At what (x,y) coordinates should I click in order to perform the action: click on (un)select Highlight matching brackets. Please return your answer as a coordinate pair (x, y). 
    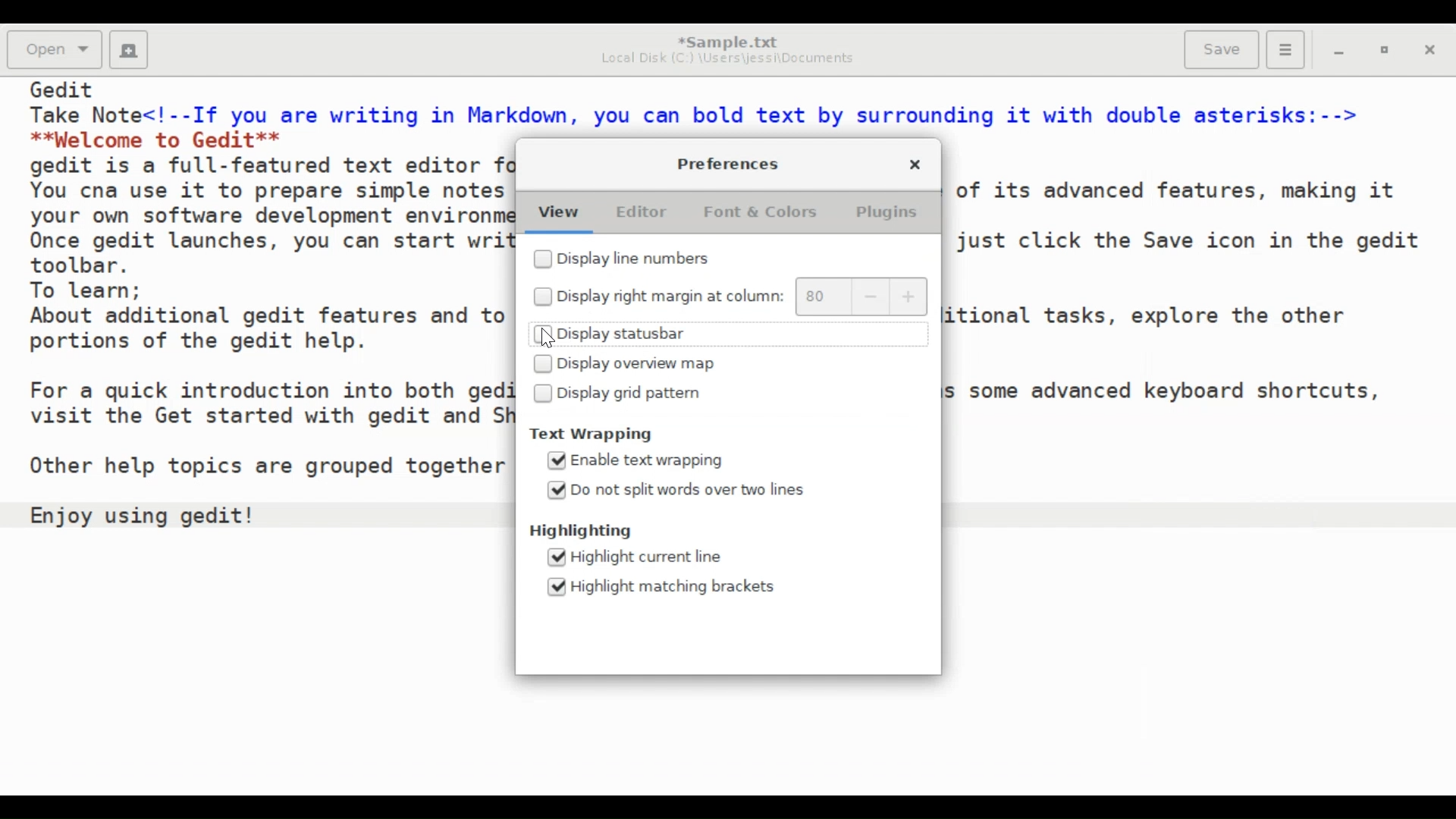
    Looking at the image, I should click on (668, 588).